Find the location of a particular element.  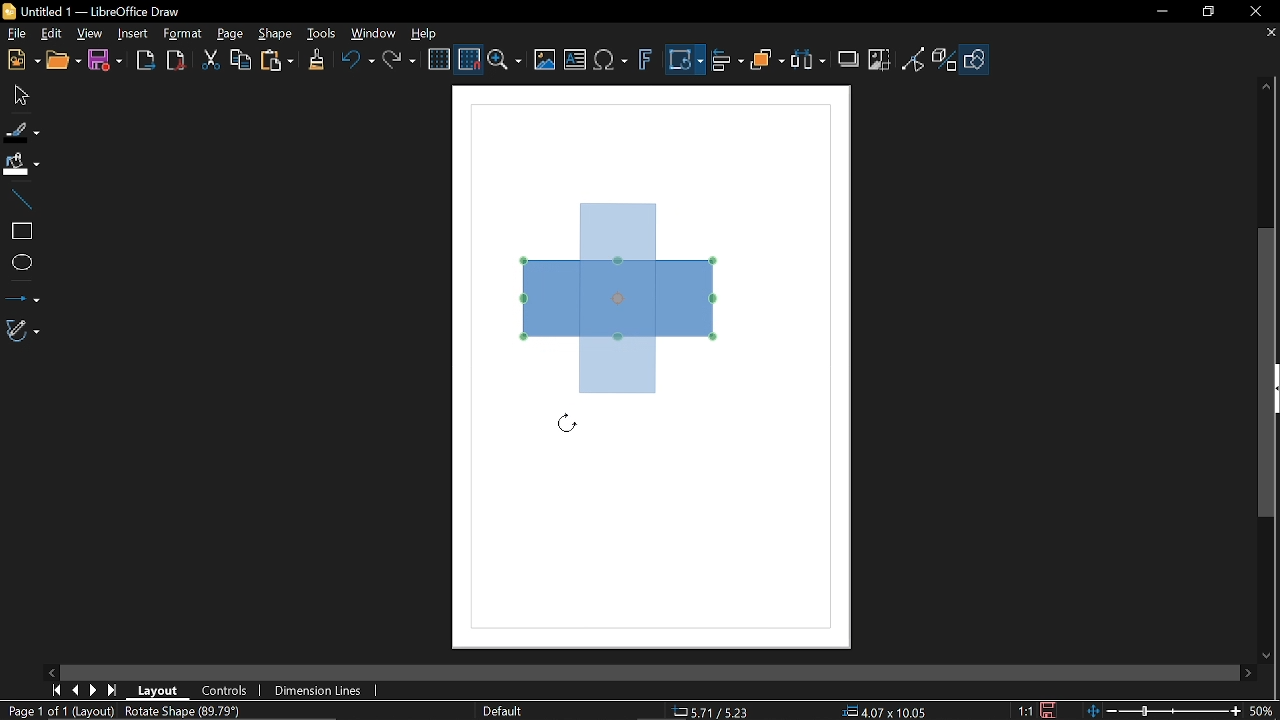

Move up is located at coordinates (1269, 87).